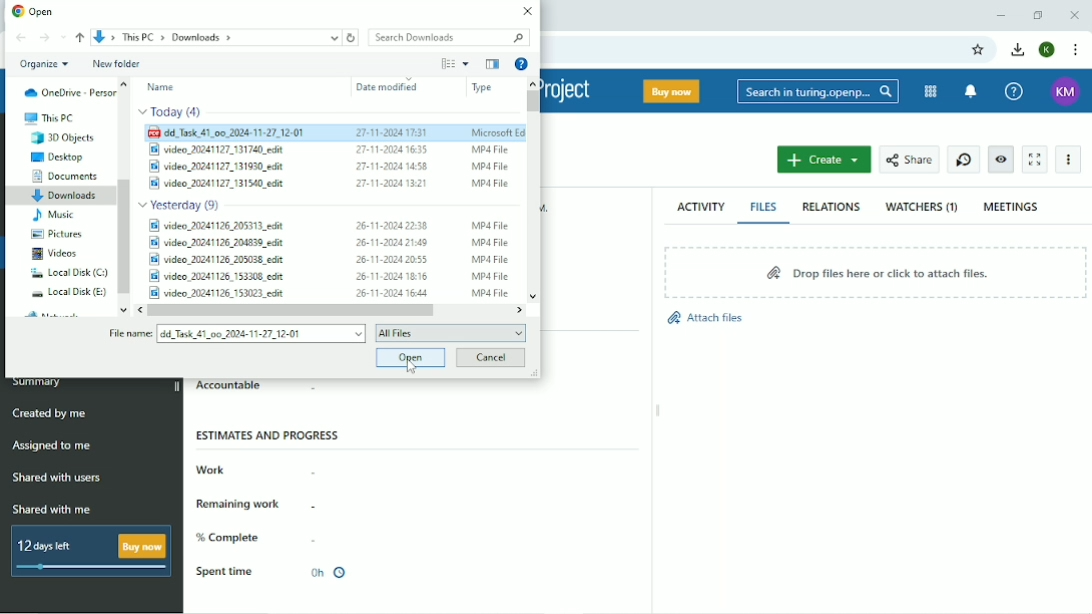 The image size is (1092, 614). I want to click on Video file, so click(327, 260).